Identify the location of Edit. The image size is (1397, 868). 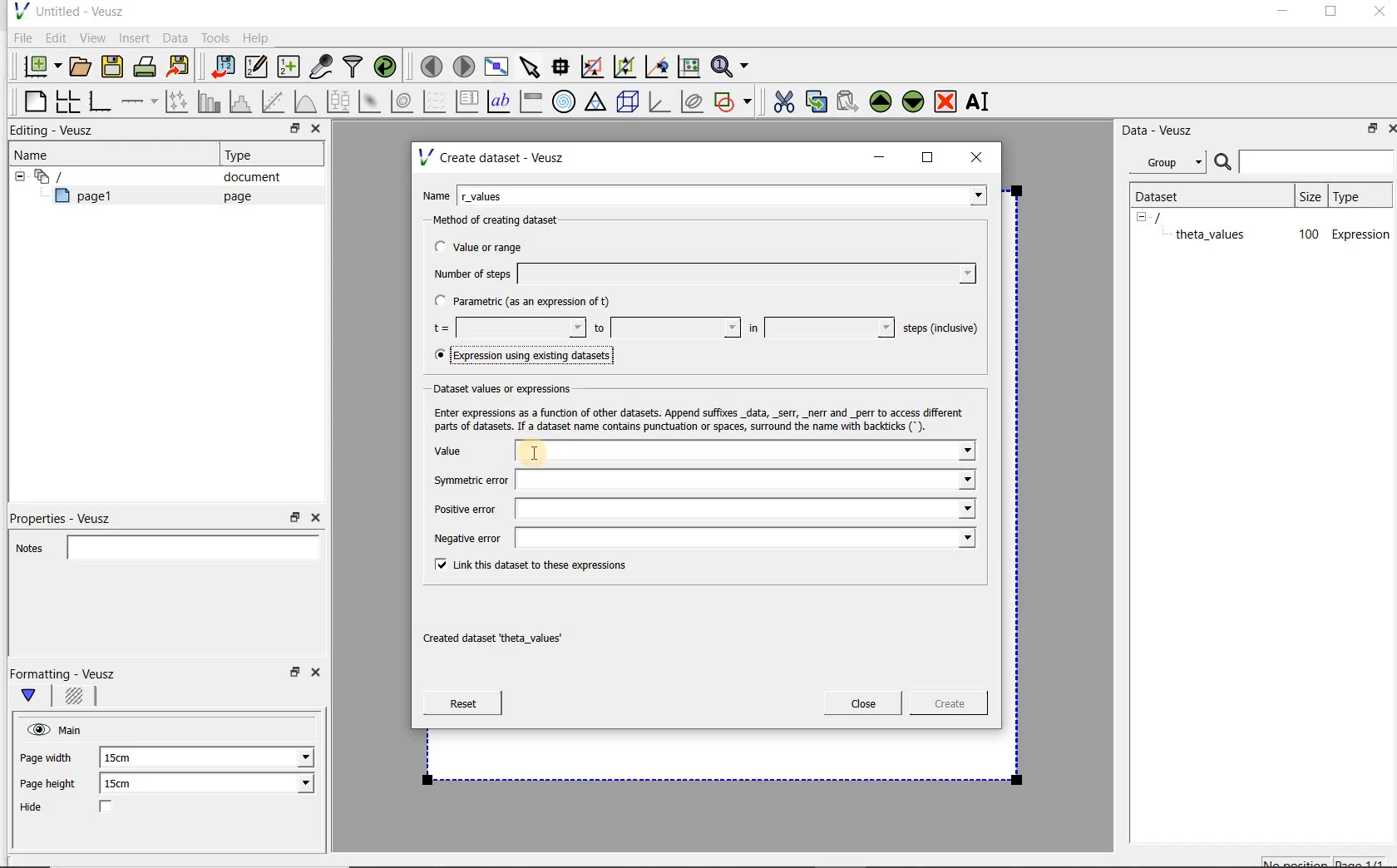
(55, 37).